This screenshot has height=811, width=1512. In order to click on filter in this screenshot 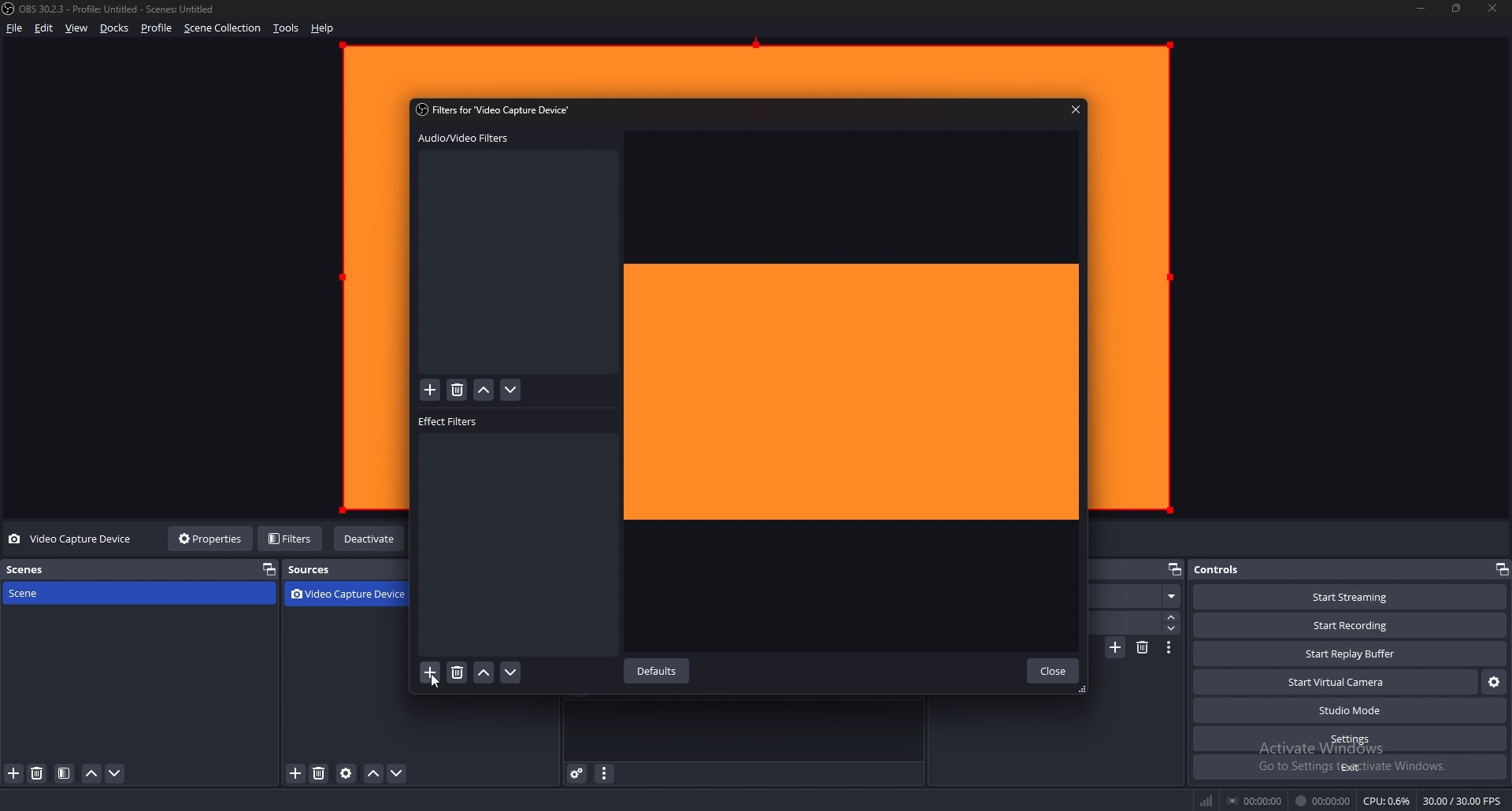, I will do `click(65, 774)`.